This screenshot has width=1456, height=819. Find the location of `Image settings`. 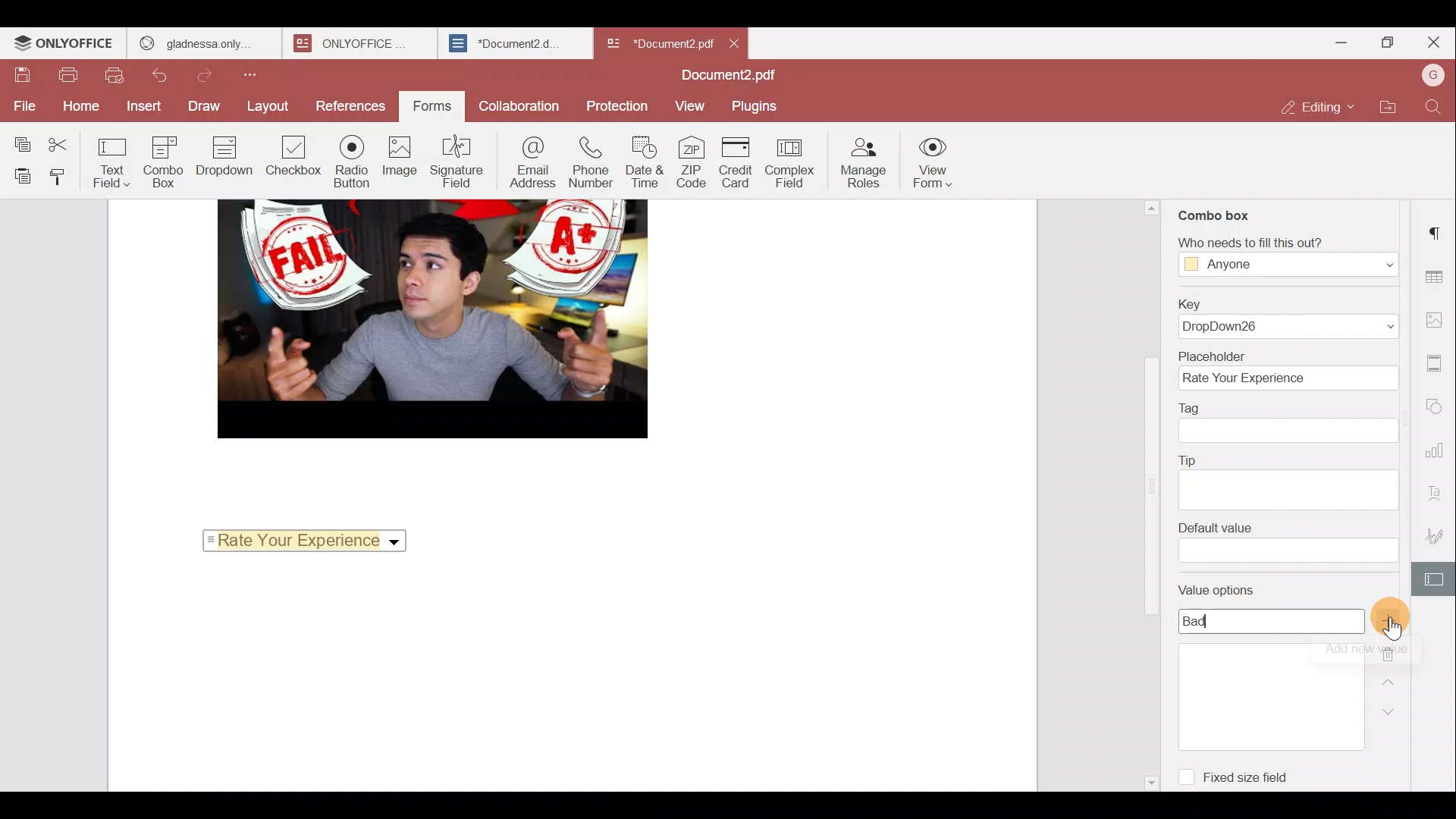

Image settings is located at coordinates (1437, 321).